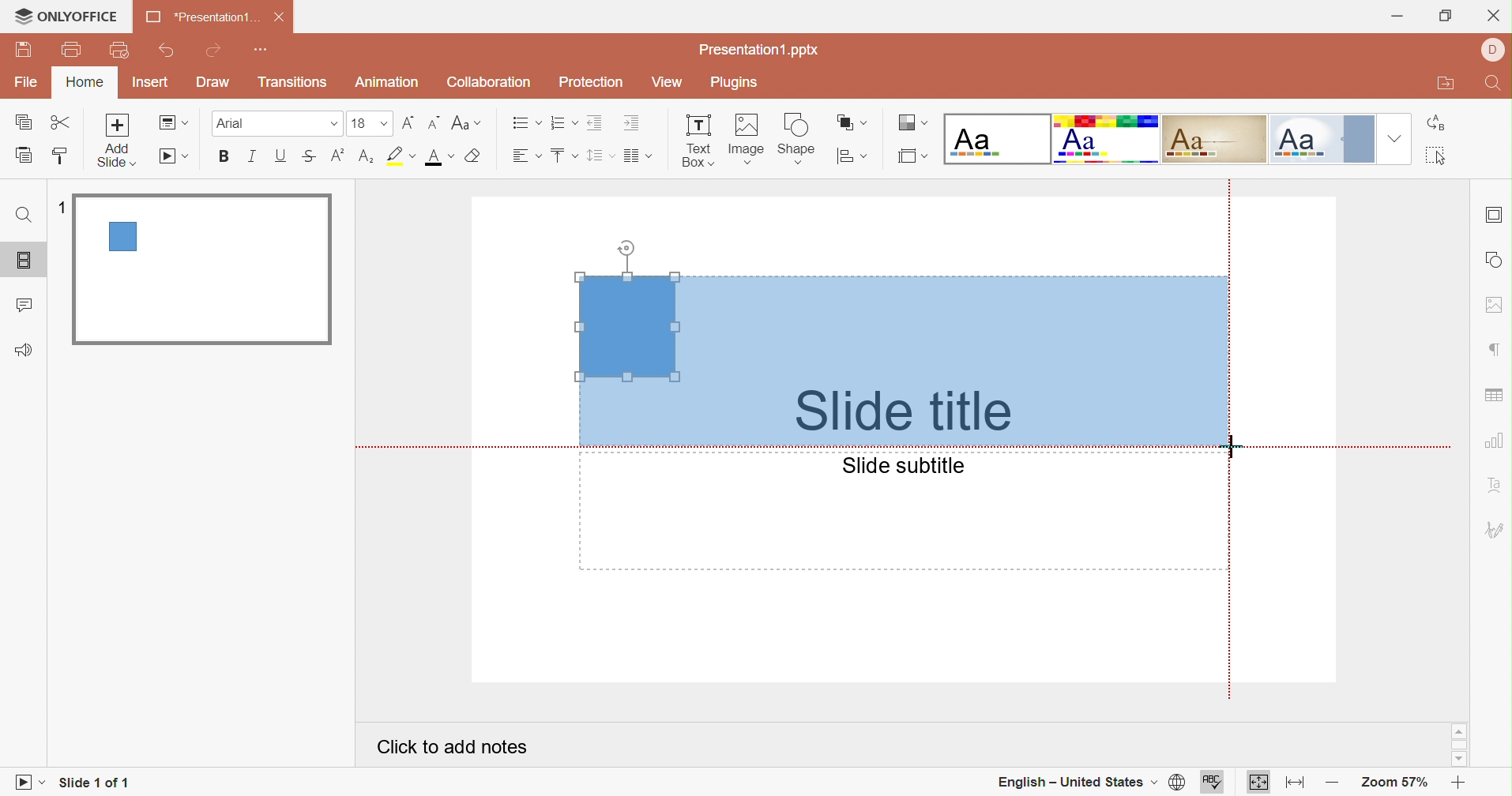 The image size is (1512, 796). I want to click on Scroll down, so click(1457, 760).